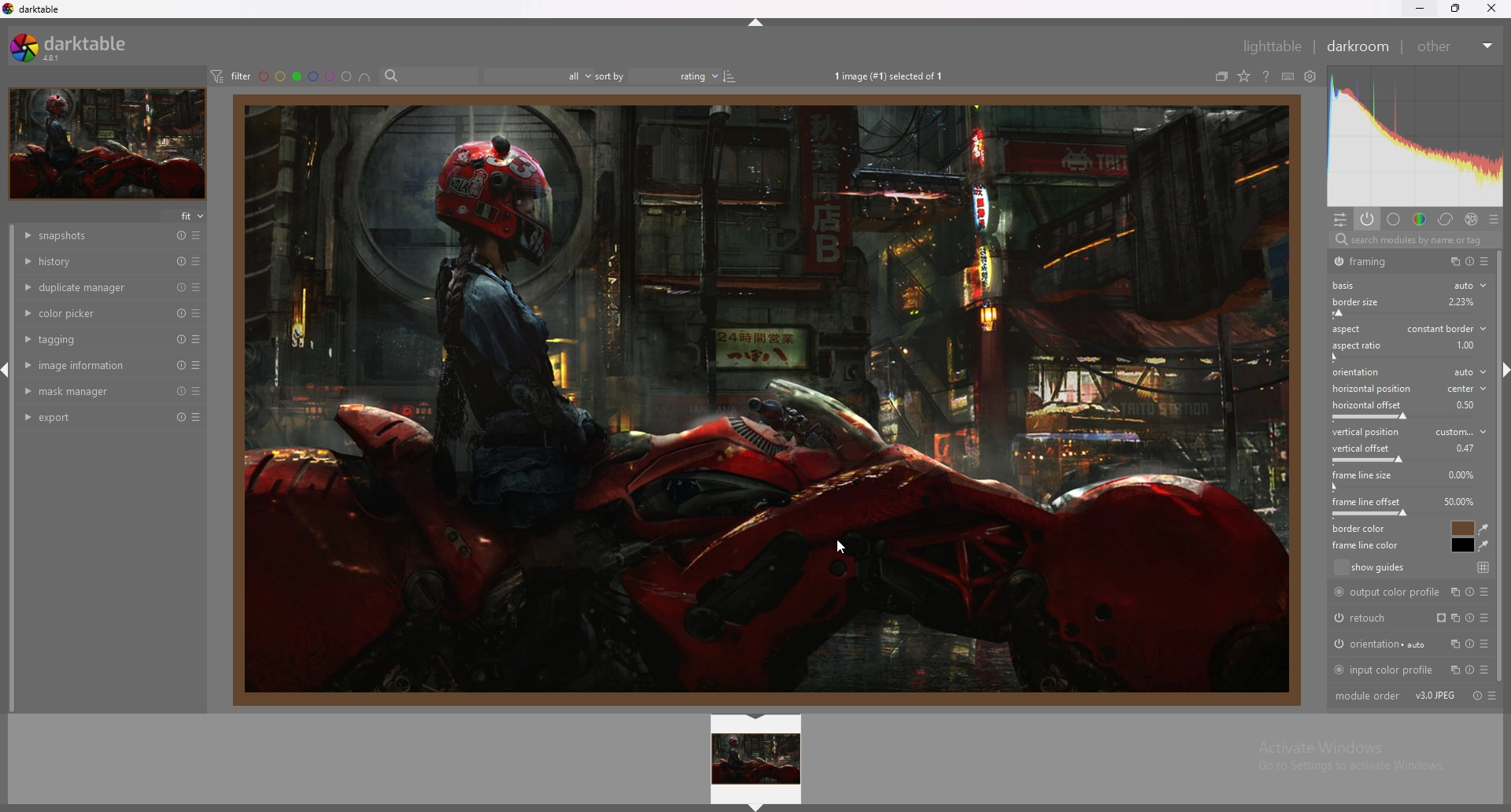 The height and width of the screenshot is (812, 1511). Describe the element at coordinates (197, 261) in the screenshot. I see `presets` at that location.